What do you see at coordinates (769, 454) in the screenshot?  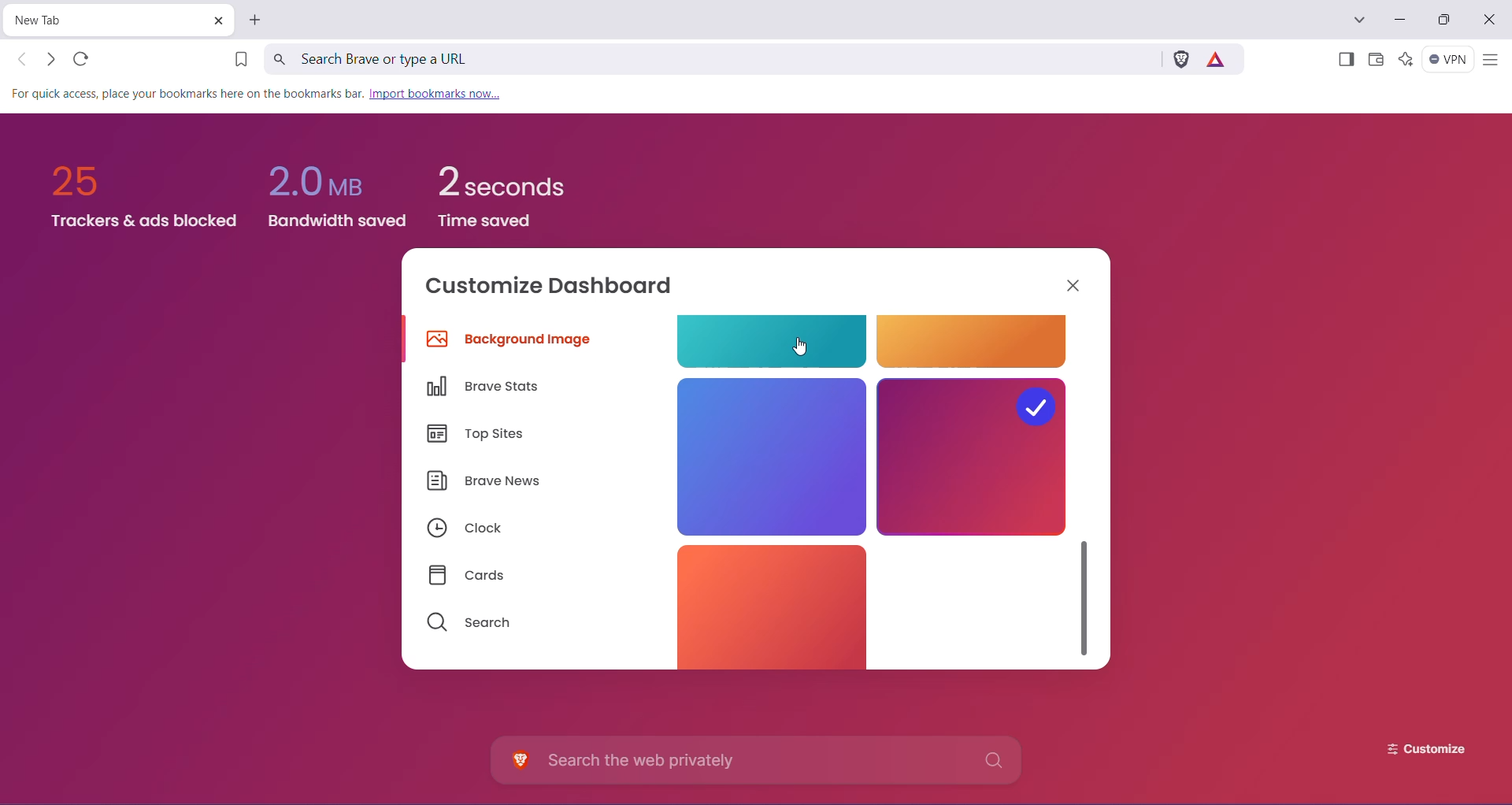 I see `color 1 #5b71de` at bounding box center [769, 454].